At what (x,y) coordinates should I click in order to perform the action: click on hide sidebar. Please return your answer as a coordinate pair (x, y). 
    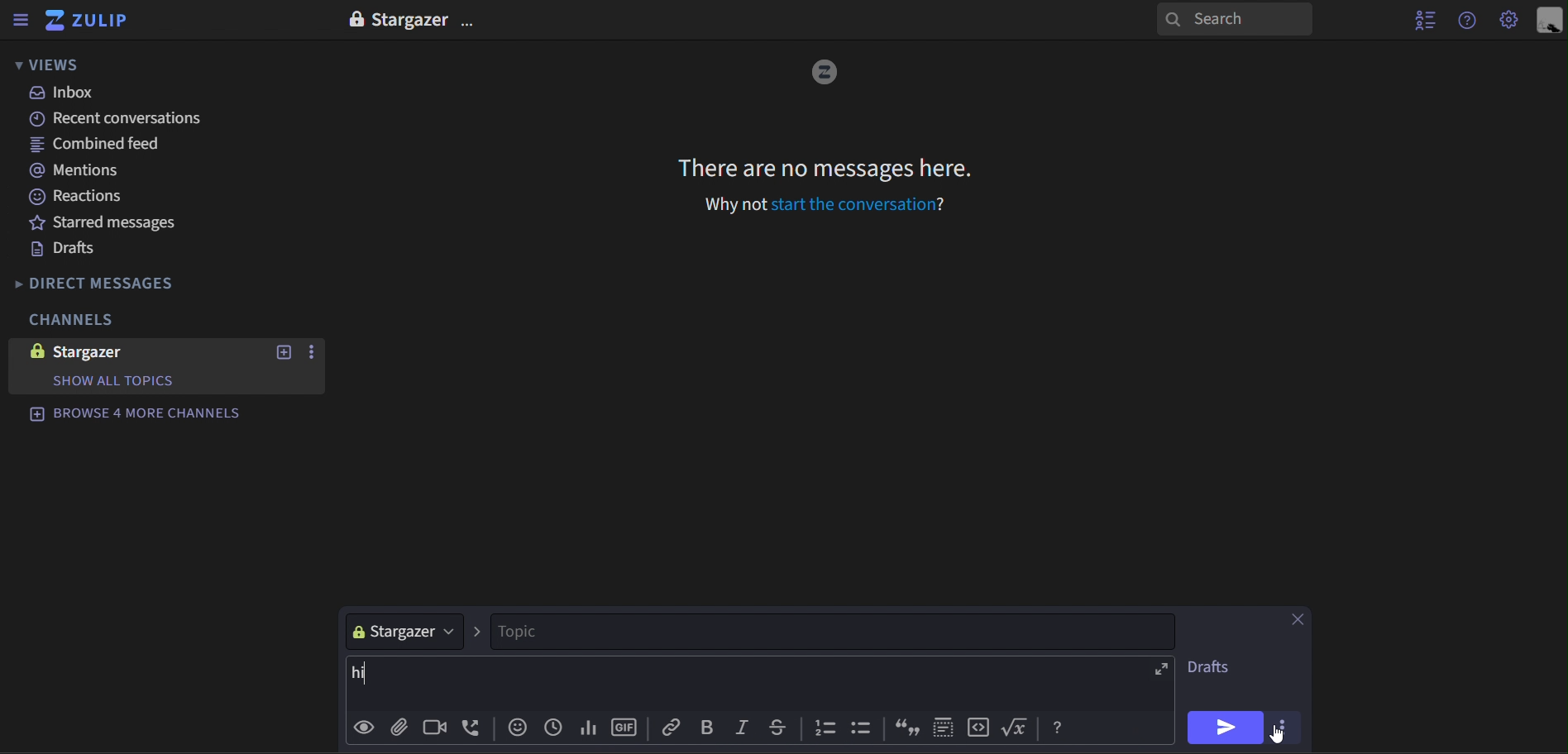
    Looking at the image, I should click on (21, 21).